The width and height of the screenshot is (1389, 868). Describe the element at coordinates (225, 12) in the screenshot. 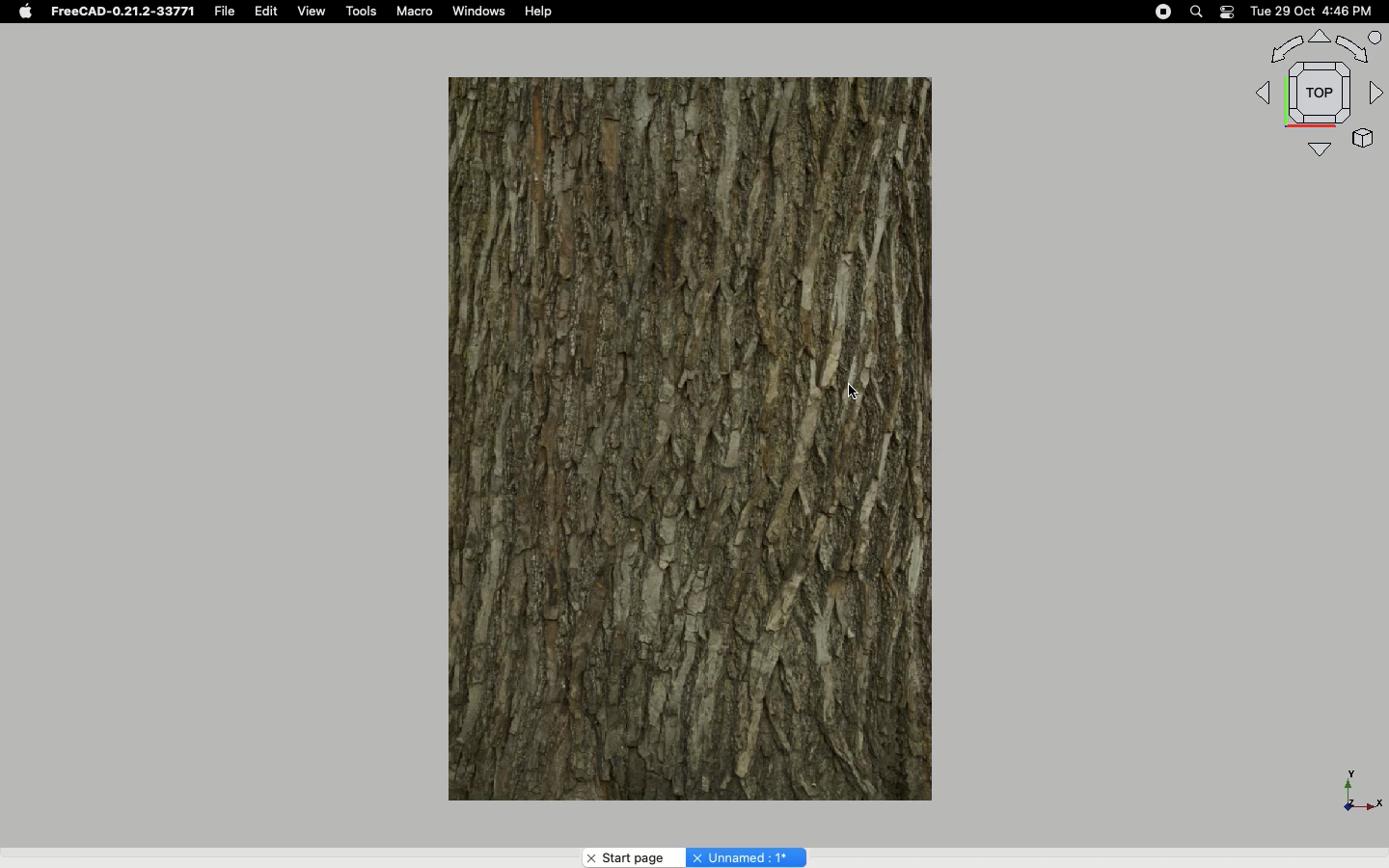

I see `File` at that location.